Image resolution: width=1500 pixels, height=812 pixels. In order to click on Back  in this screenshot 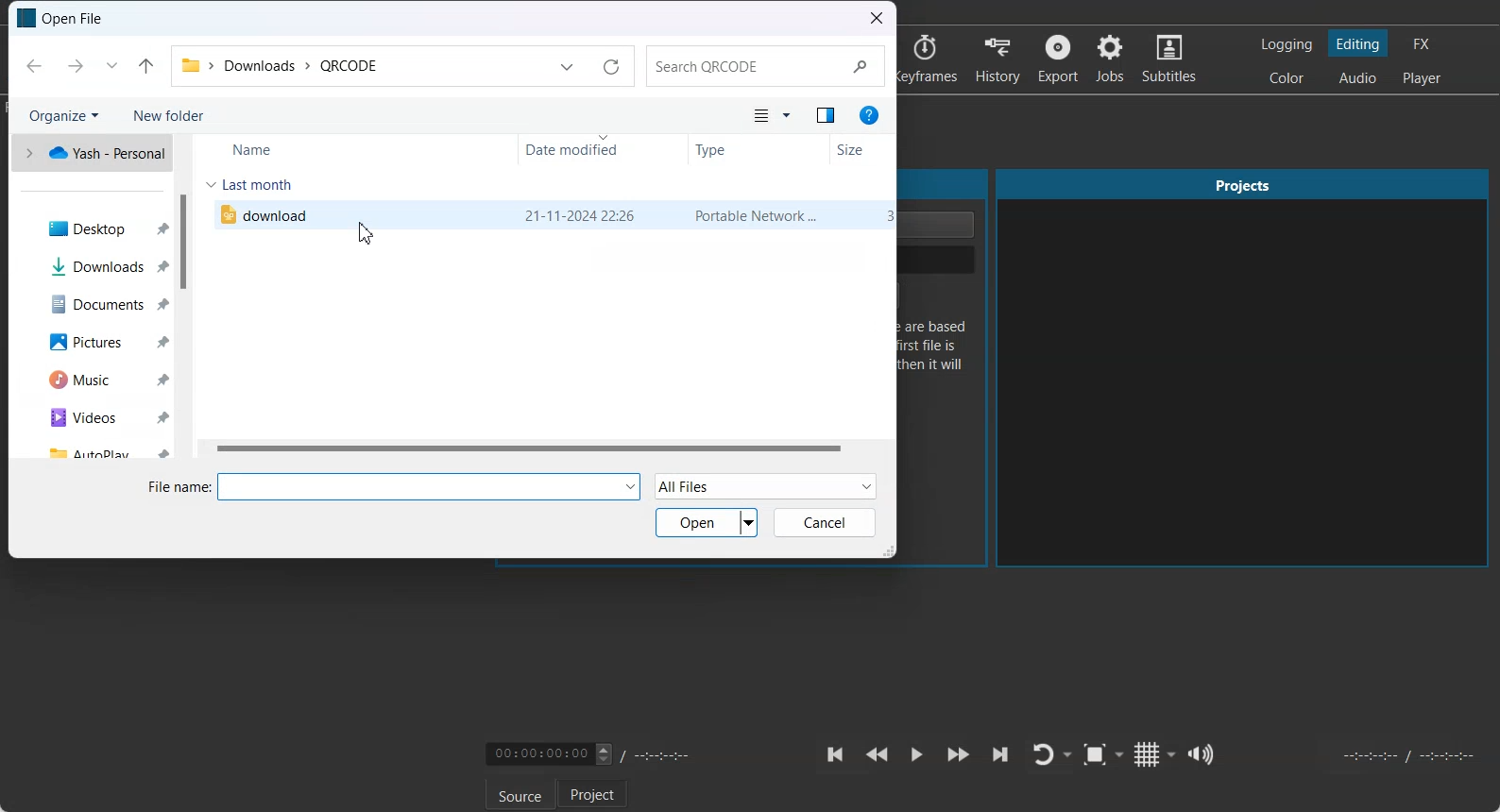, I will do `click(34, 65)`.